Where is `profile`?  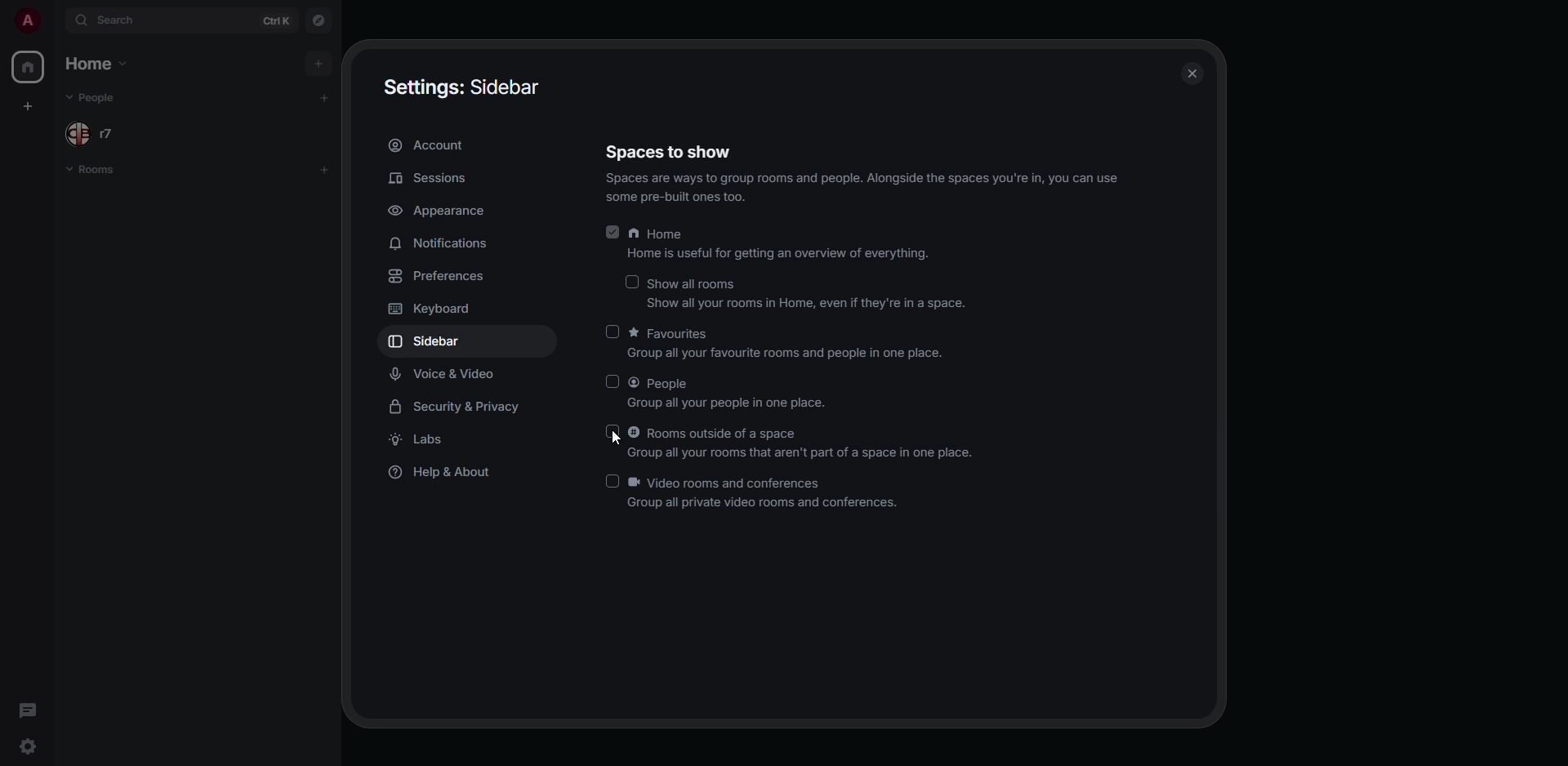 profile is located at coordinates (28, 19).